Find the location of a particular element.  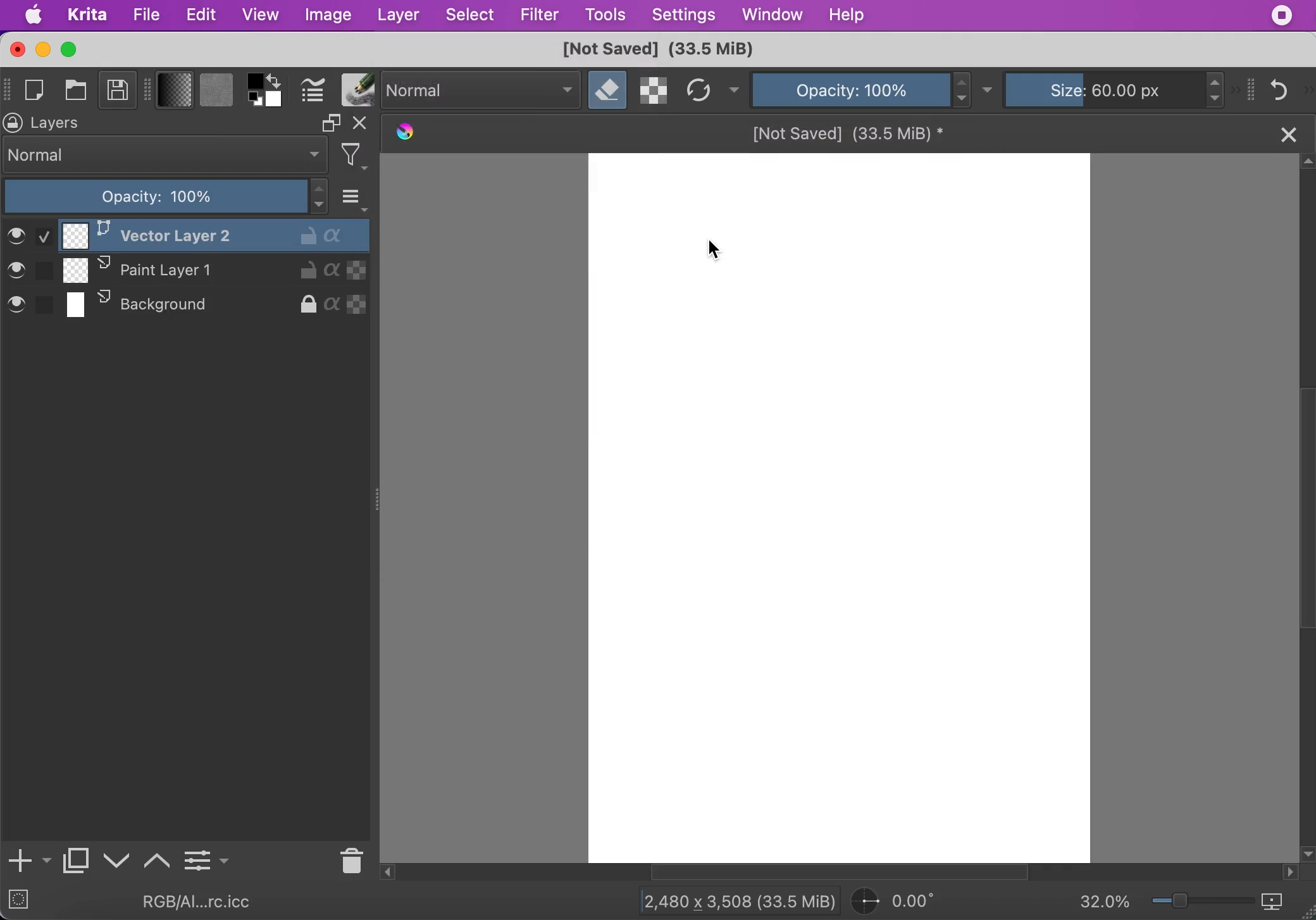

blending menu is located at coordinates (356, 196).